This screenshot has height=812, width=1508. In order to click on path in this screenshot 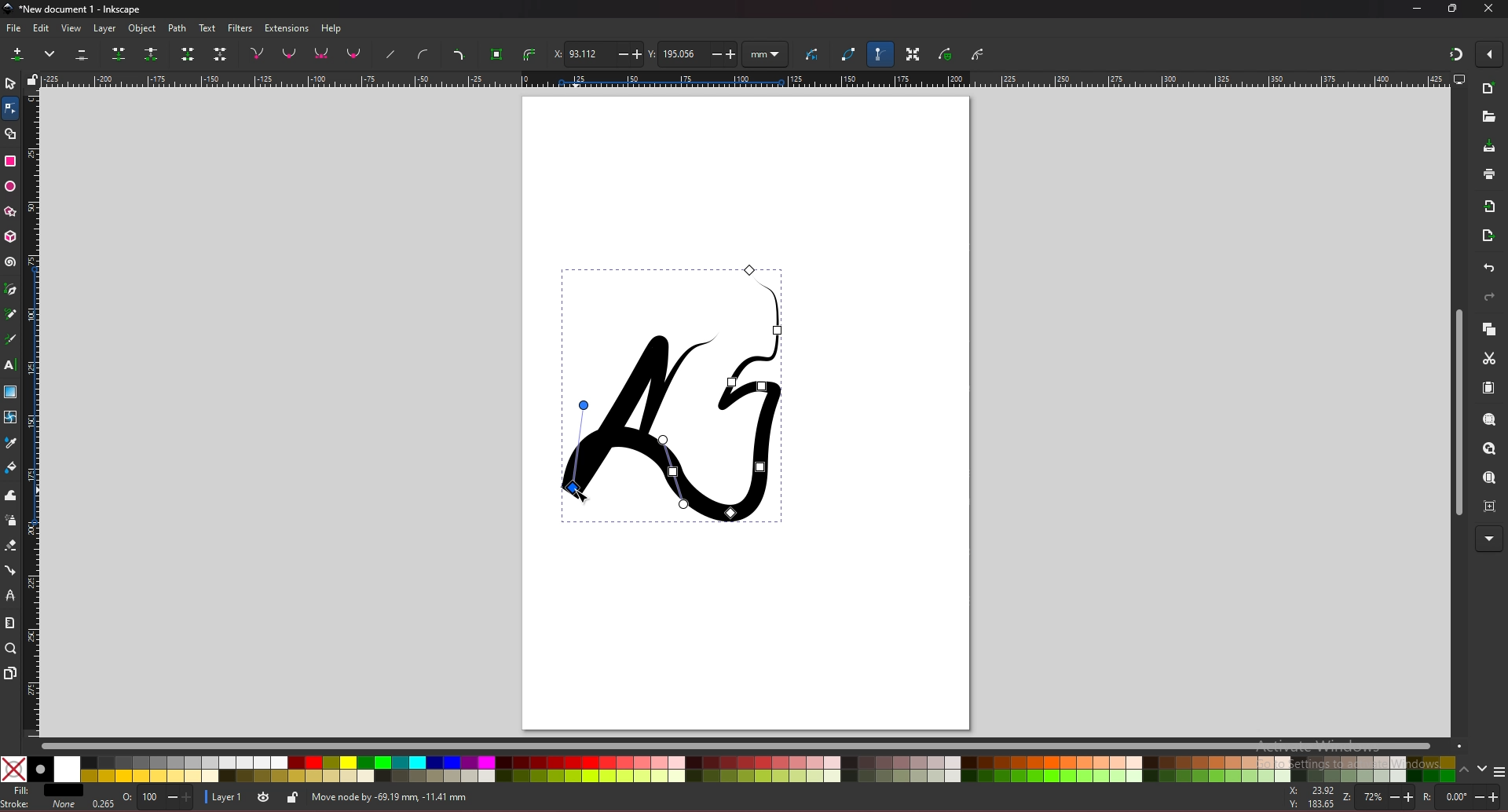, I will do `click(178, 29)`.